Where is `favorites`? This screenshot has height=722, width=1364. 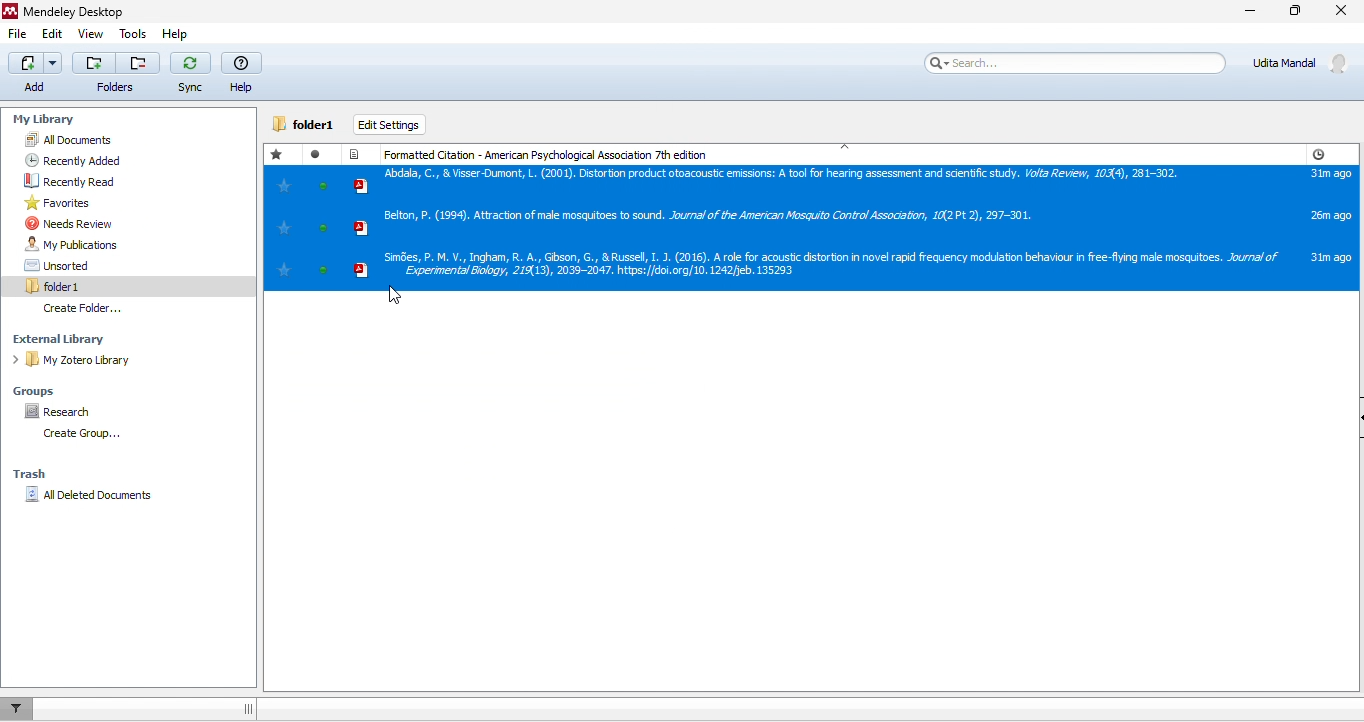
favorites is located at coordinates (57, 203).